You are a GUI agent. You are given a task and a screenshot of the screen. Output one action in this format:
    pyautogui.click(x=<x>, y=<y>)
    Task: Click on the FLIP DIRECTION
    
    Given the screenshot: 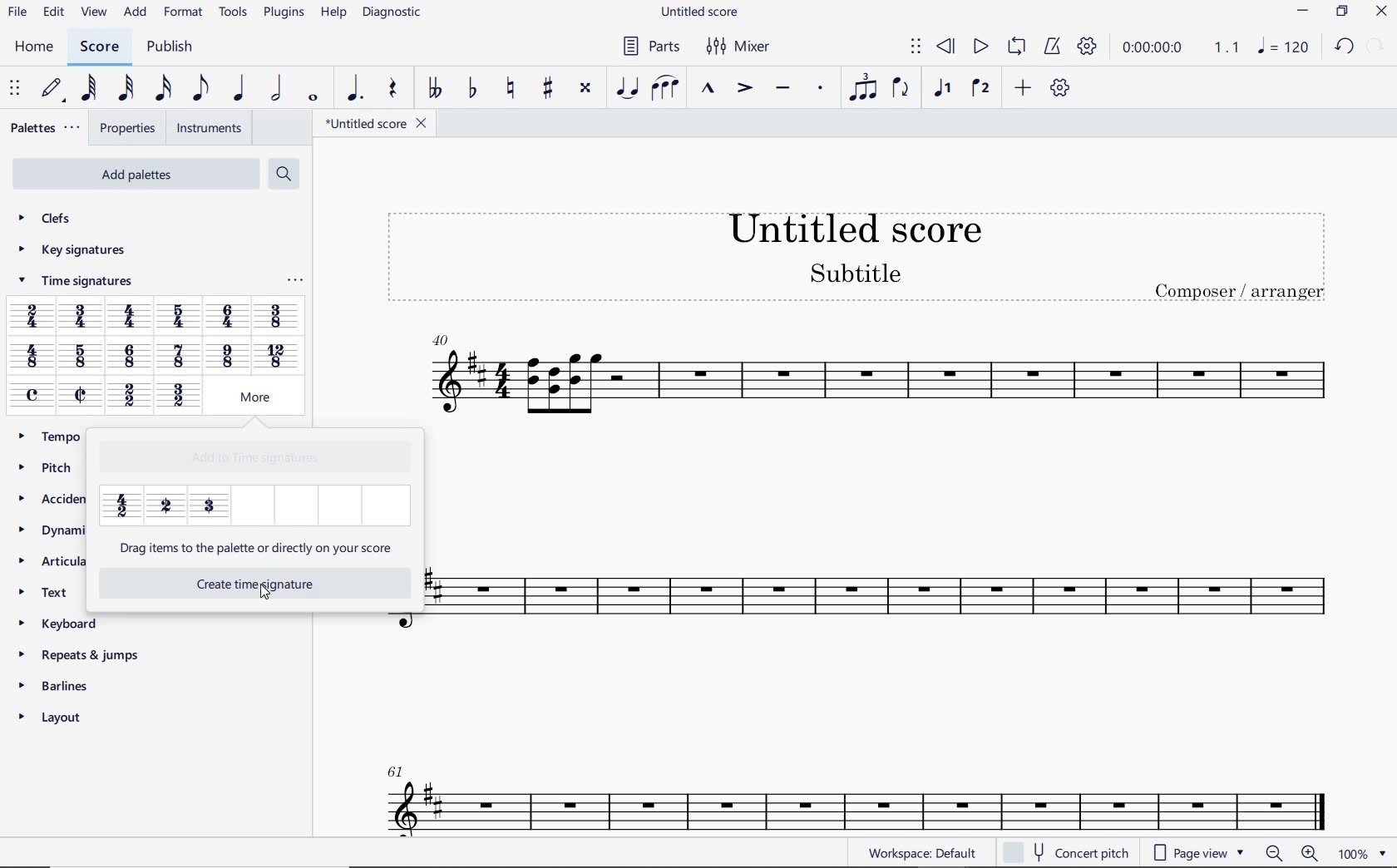 What is the action you would take?
    pyautogui.click(x=901, y=89)
    